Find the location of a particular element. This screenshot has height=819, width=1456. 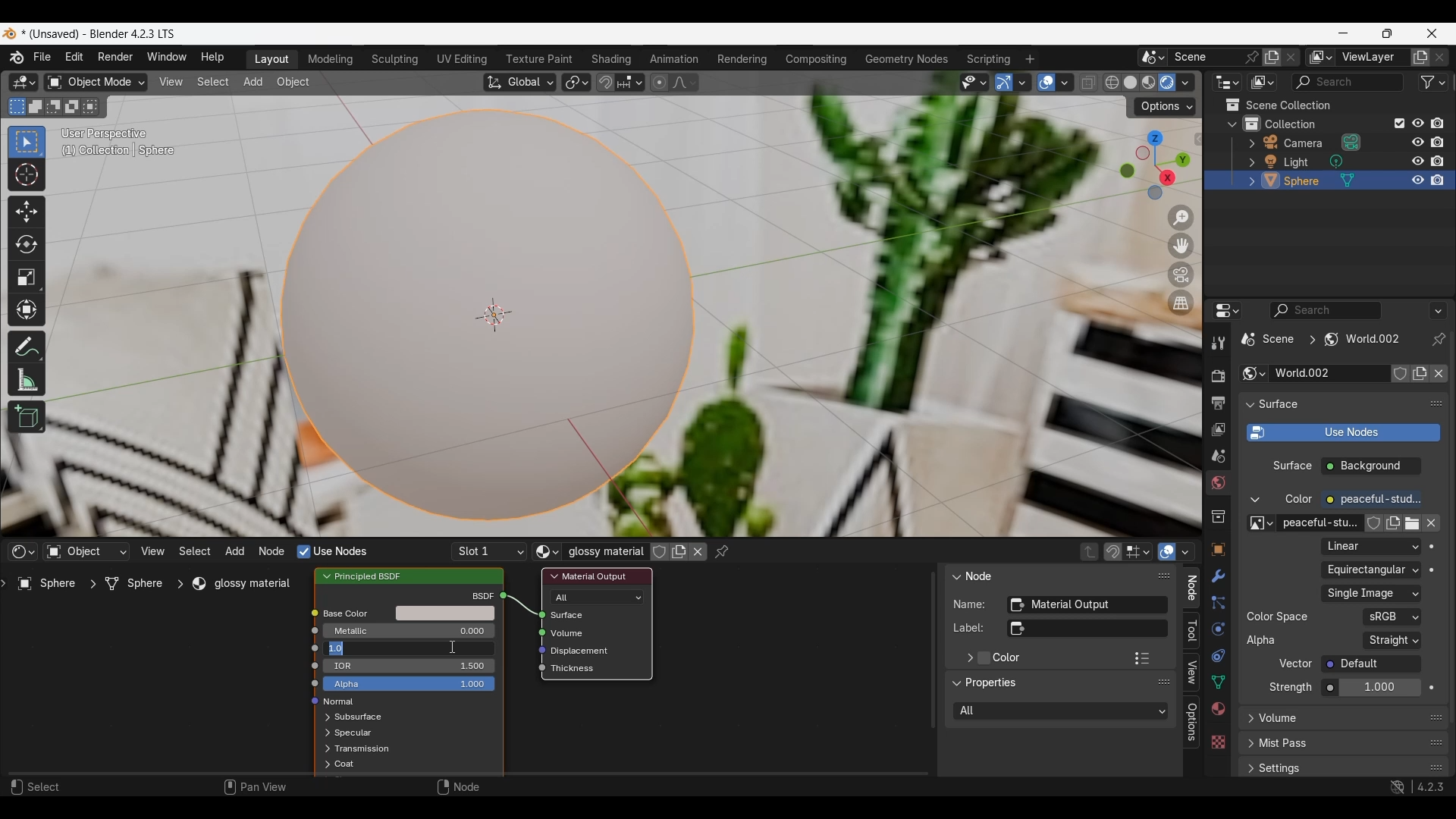

Strength  is located at coordinates (1291, 687).